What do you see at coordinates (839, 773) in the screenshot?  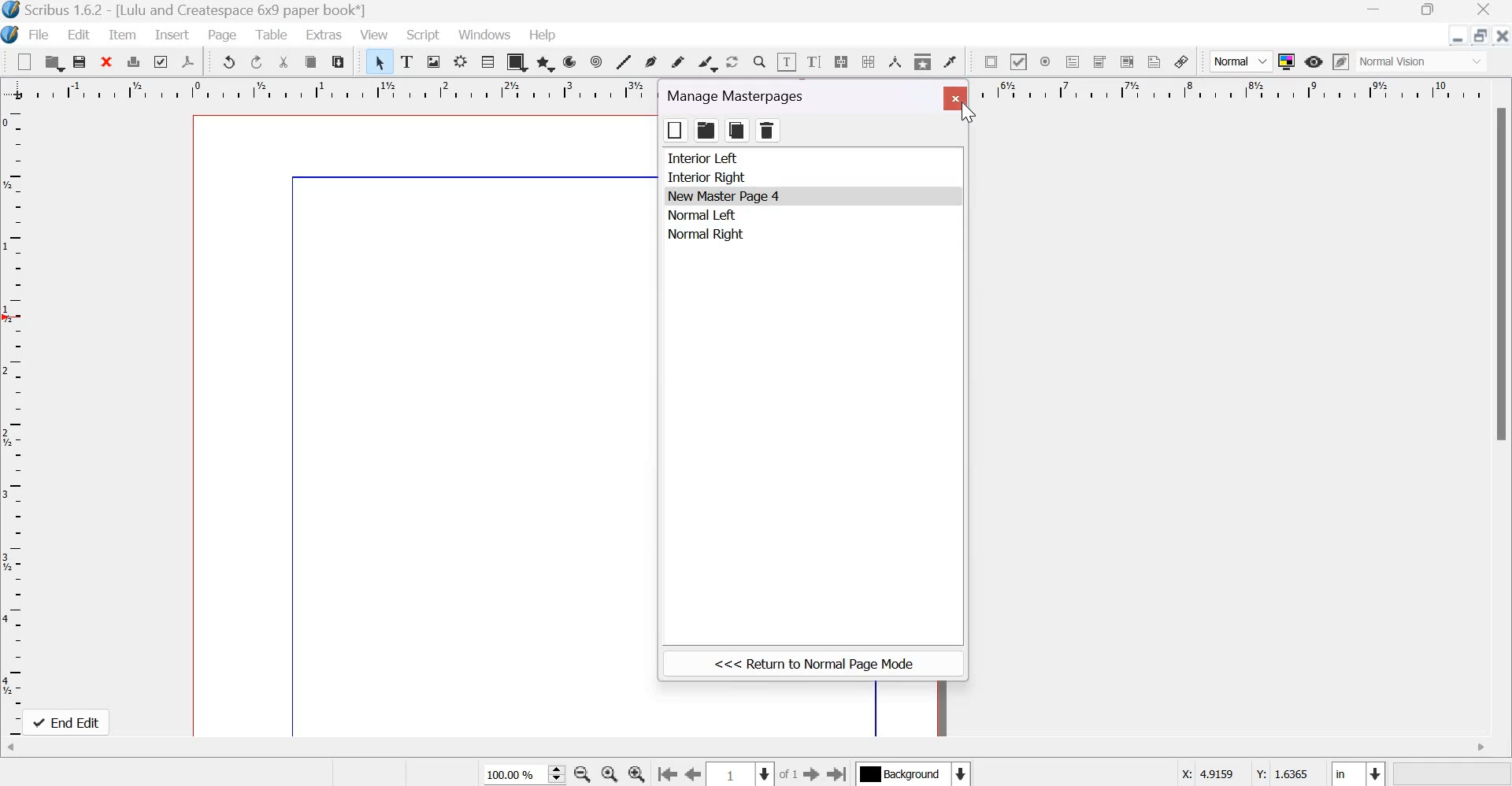 I see `Go the last page` at bounding box center [839, 773].